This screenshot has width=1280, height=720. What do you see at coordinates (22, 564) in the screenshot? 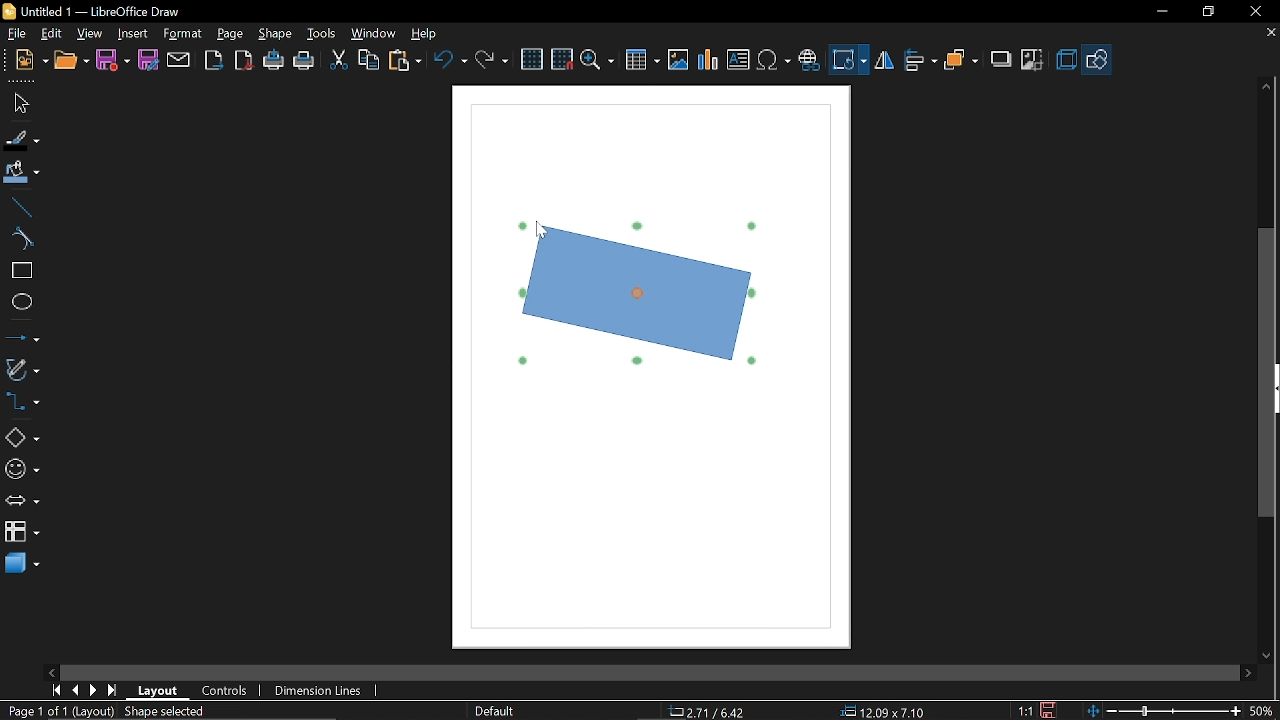
I see `3d shapes` at bounding box center [22, 564].